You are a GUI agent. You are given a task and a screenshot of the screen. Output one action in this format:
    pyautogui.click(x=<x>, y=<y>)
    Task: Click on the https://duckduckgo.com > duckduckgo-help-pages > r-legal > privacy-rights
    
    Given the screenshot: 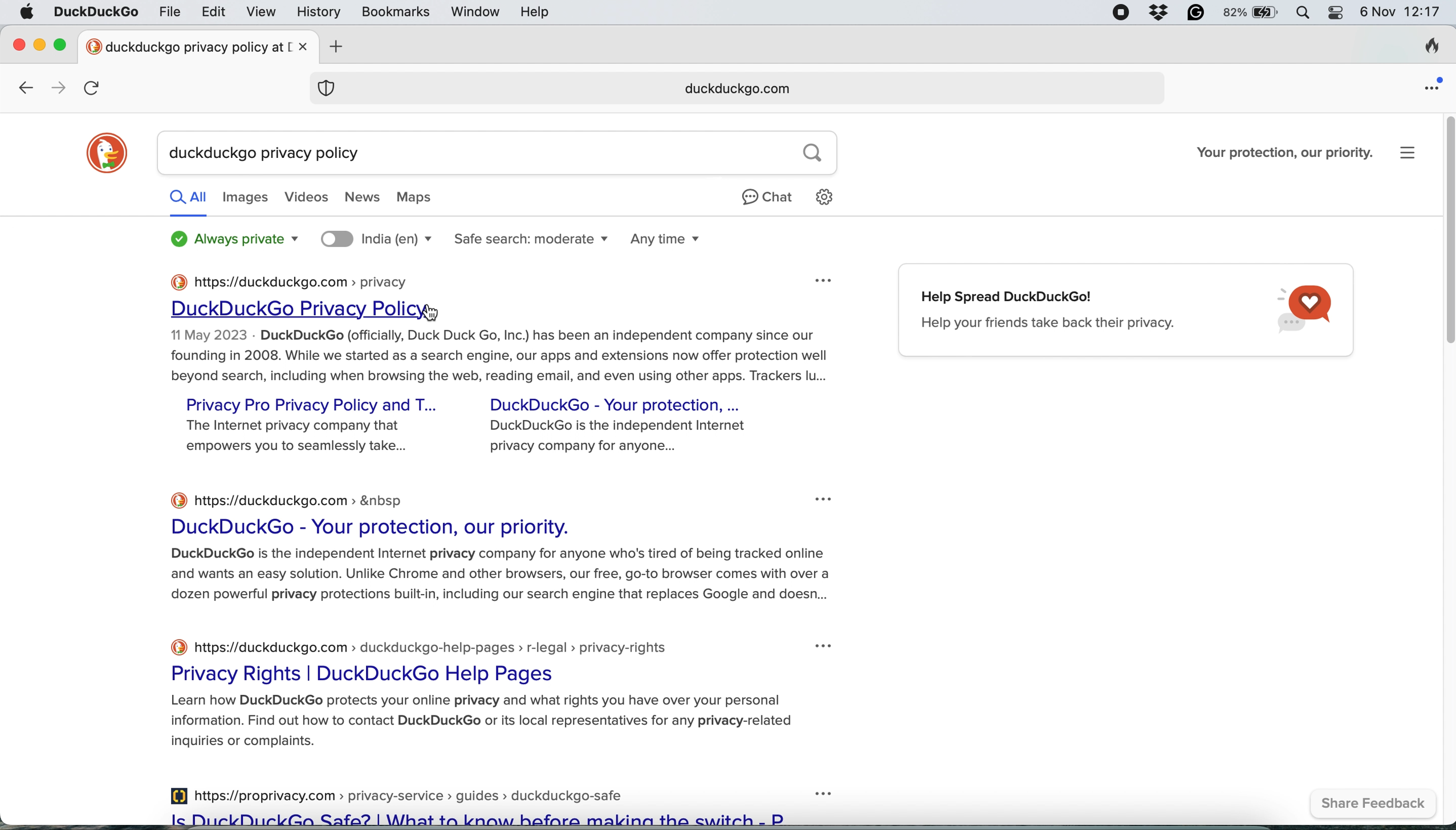 What is the action you would take?
    pyautogui.click(x=420, y=646)
    